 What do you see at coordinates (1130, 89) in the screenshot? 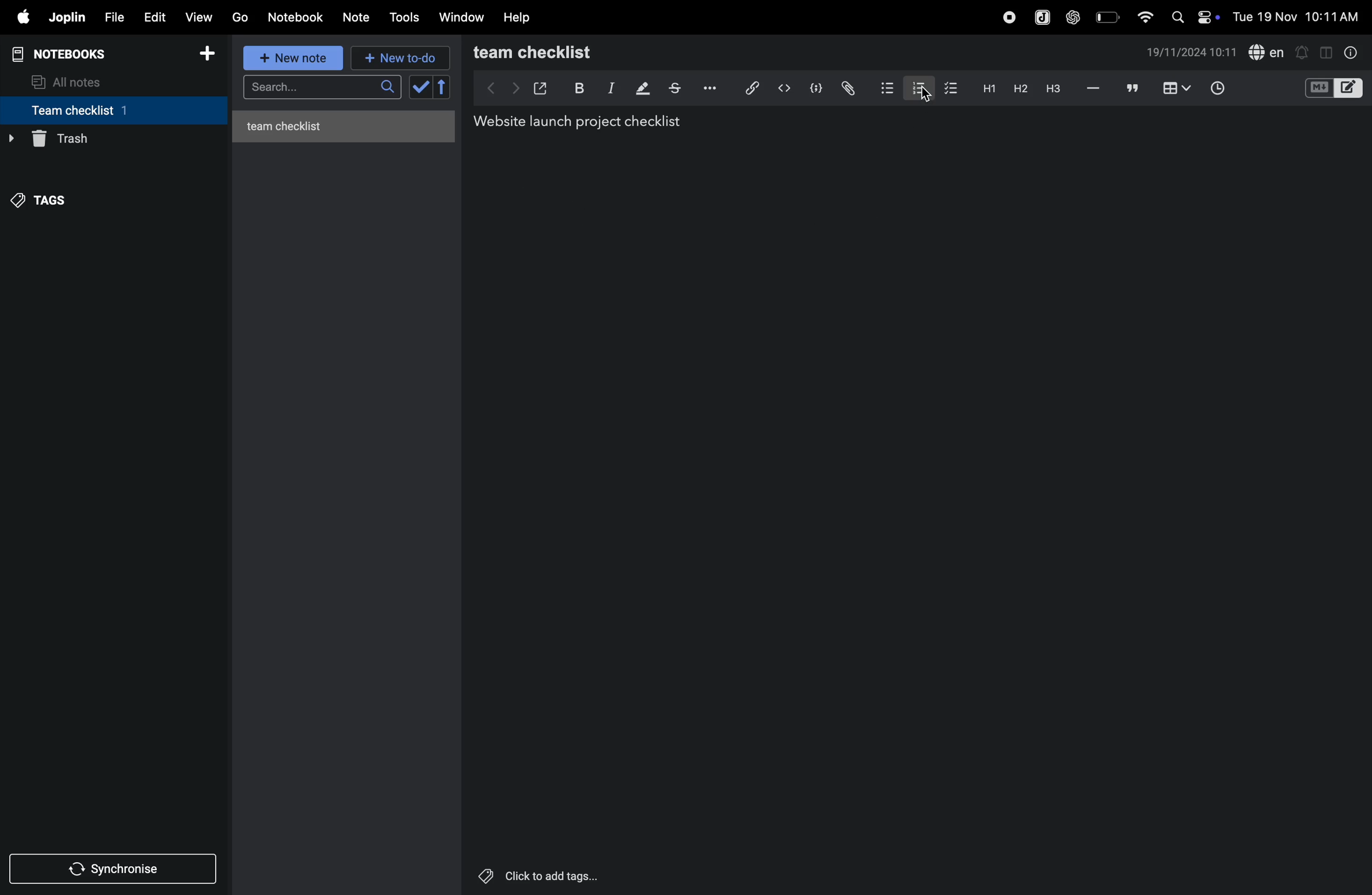
I see `comments` at bounding box center [1130, 89].